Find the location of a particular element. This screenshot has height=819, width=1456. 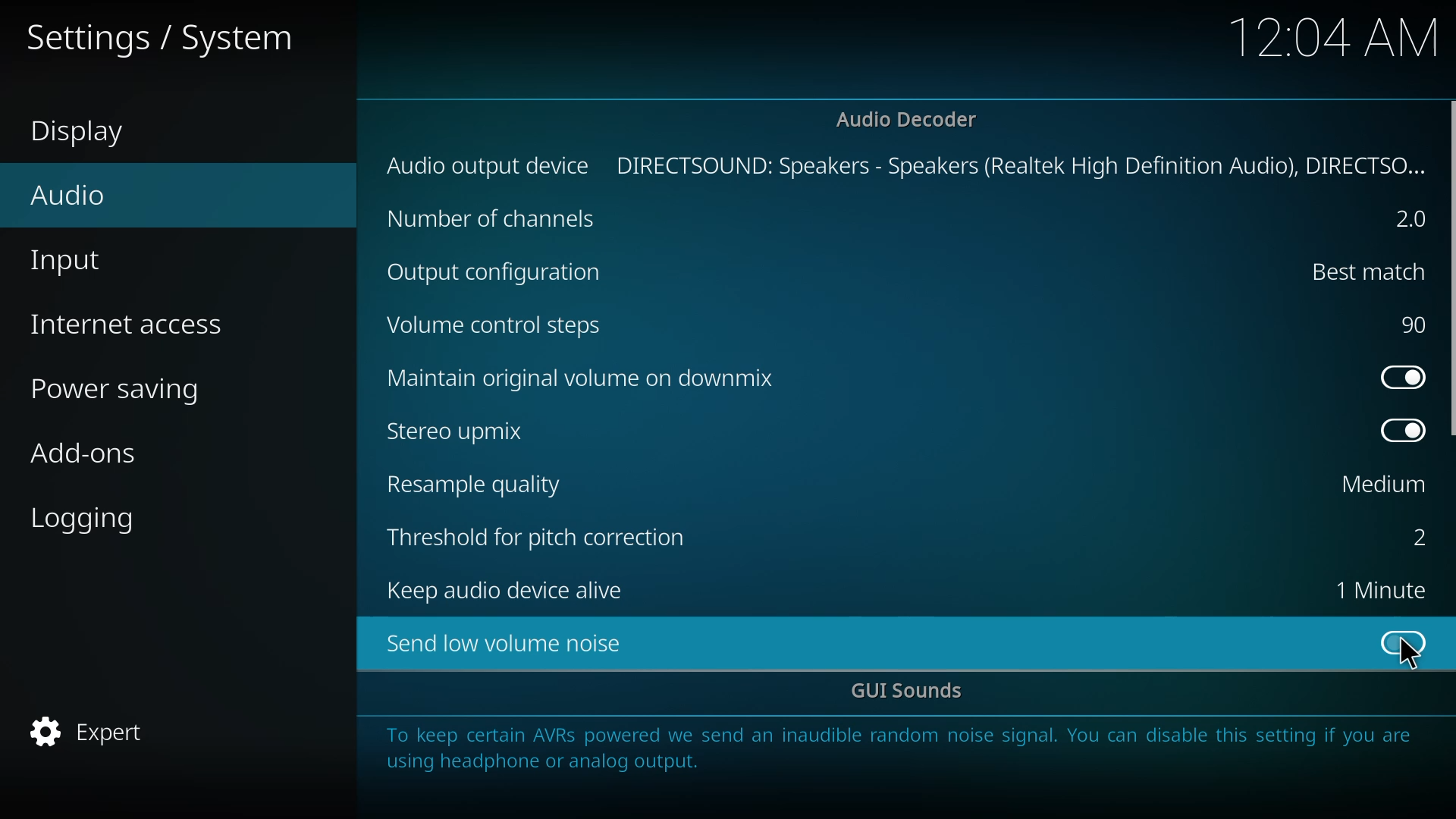

time is located at coordinates (1333, 36).